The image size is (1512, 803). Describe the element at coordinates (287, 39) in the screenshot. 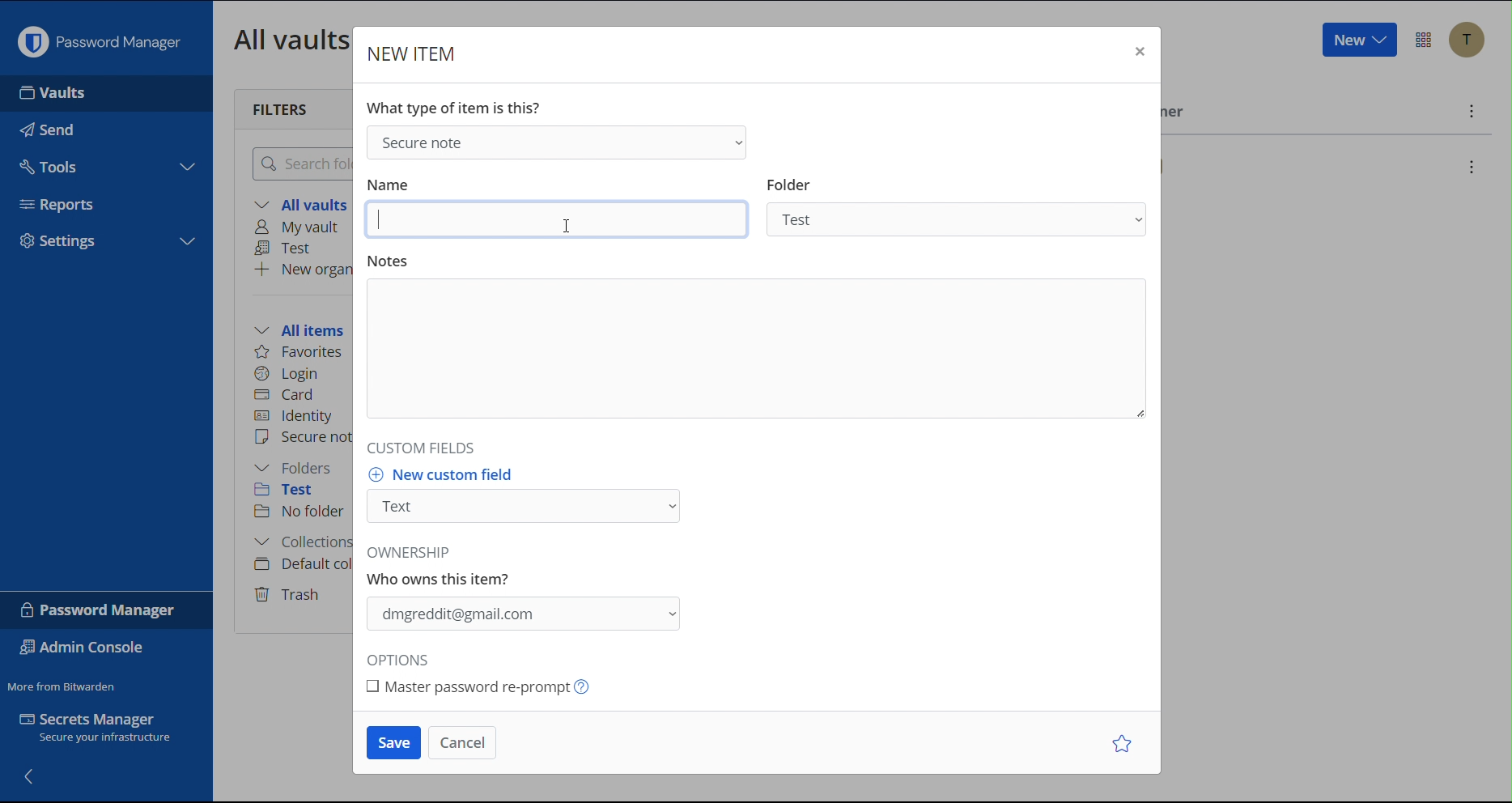

I see `All Vaults` at that location.